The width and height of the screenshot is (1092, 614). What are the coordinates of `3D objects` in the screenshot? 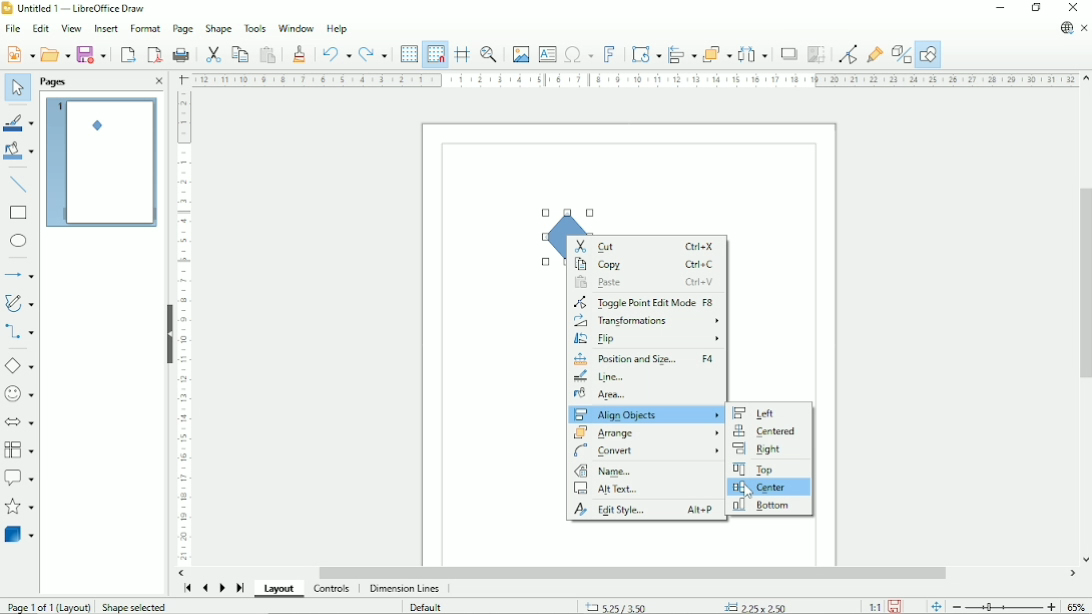 It's located at (19, 537).